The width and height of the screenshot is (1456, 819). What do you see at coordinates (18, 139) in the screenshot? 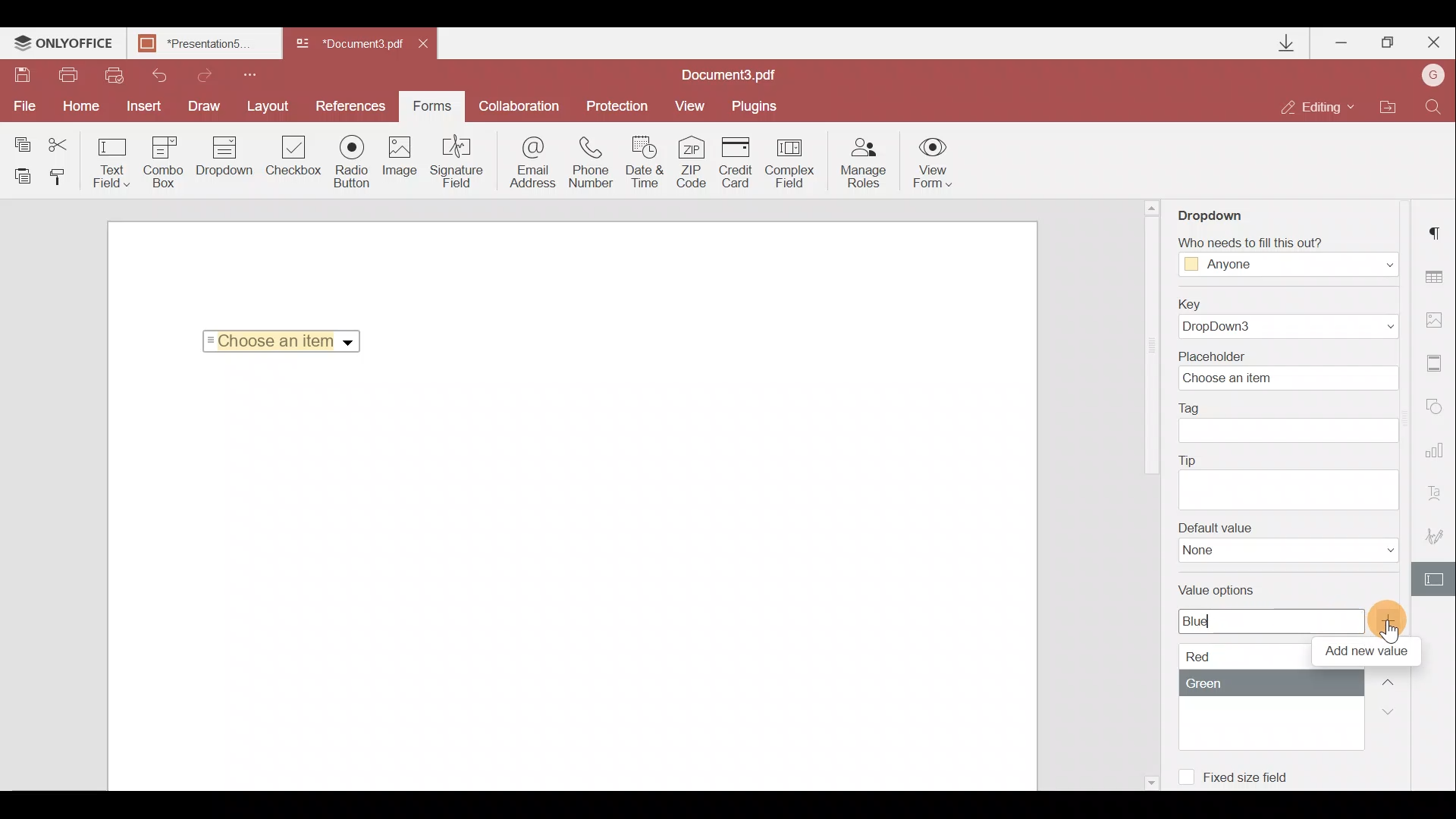
I see `Copy` at bounding box center [18, 139].